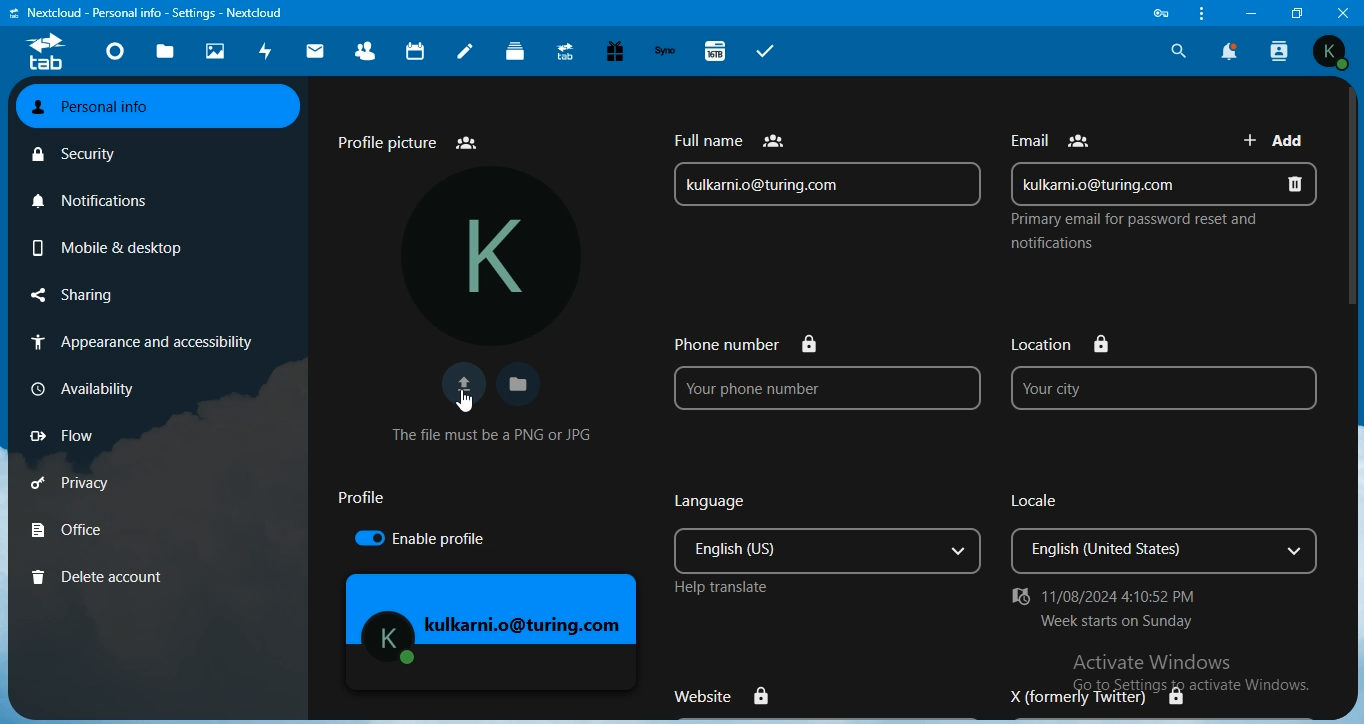  Describe the element at coordinates (217, 52) in the screenshot. I see `photos` at that location.